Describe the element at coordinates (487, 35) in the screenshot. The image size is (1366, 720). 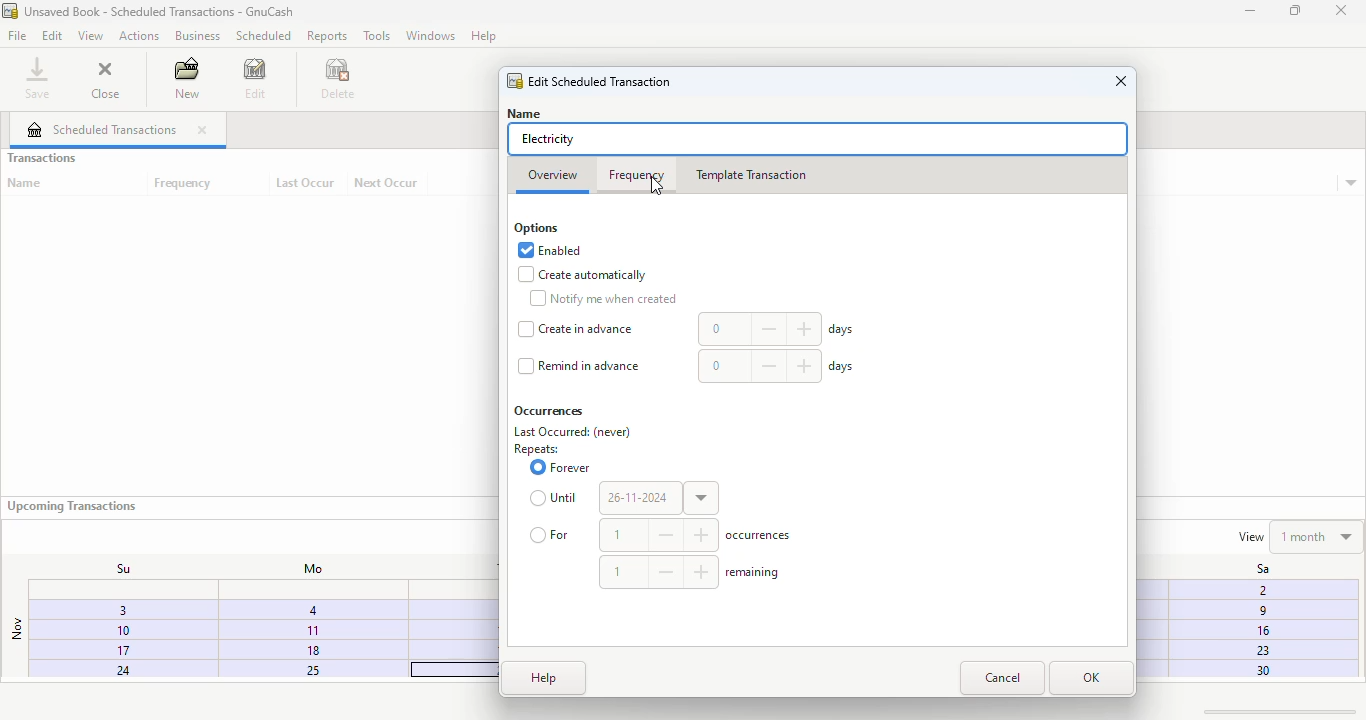
I see `Help` at that location.